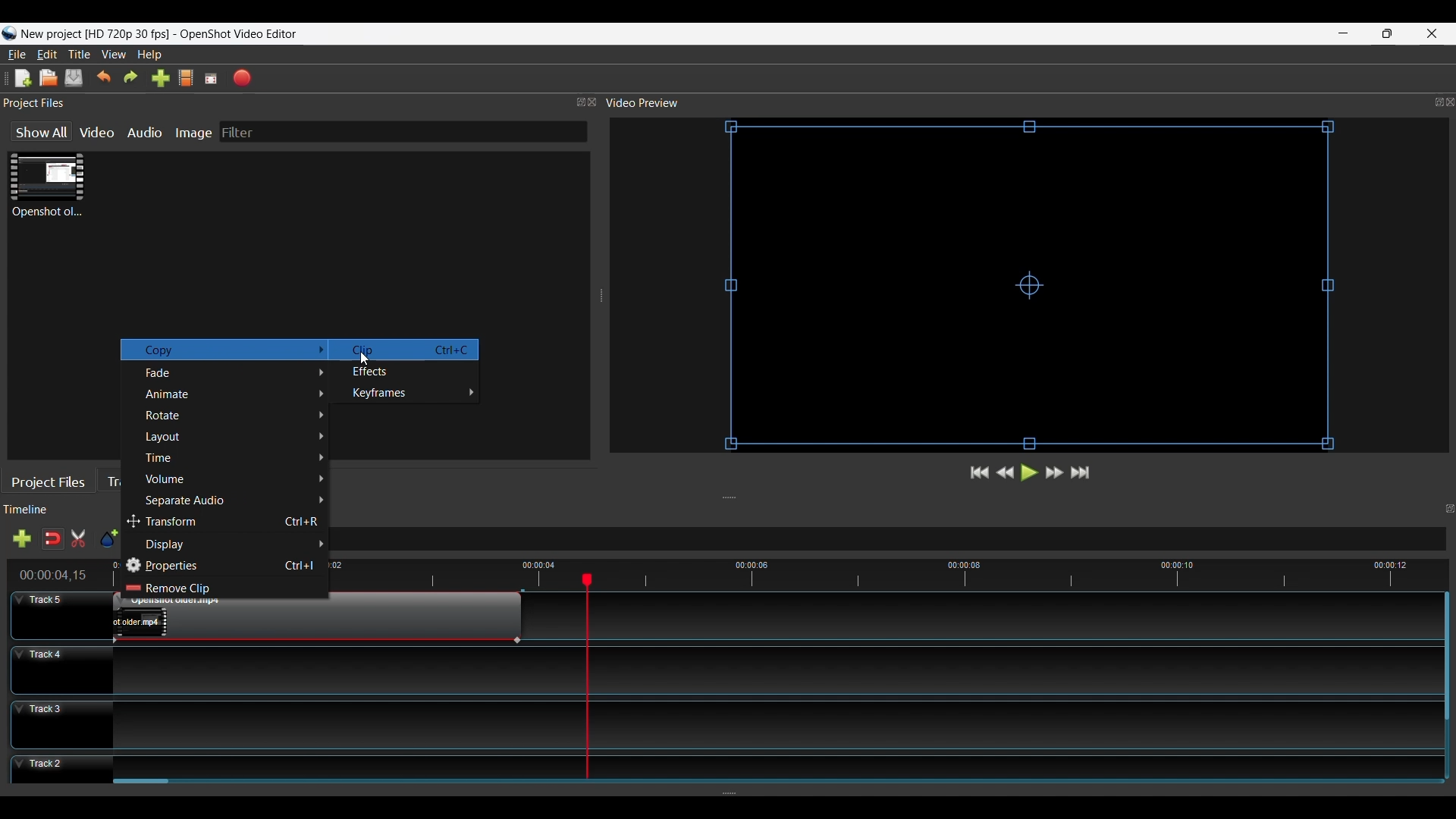 The width and height of the screenshot is (1456, 819). What do you see at coordinates (105, 77) in the screenshot?
I see `Undo` at bounding box center [105, 77].